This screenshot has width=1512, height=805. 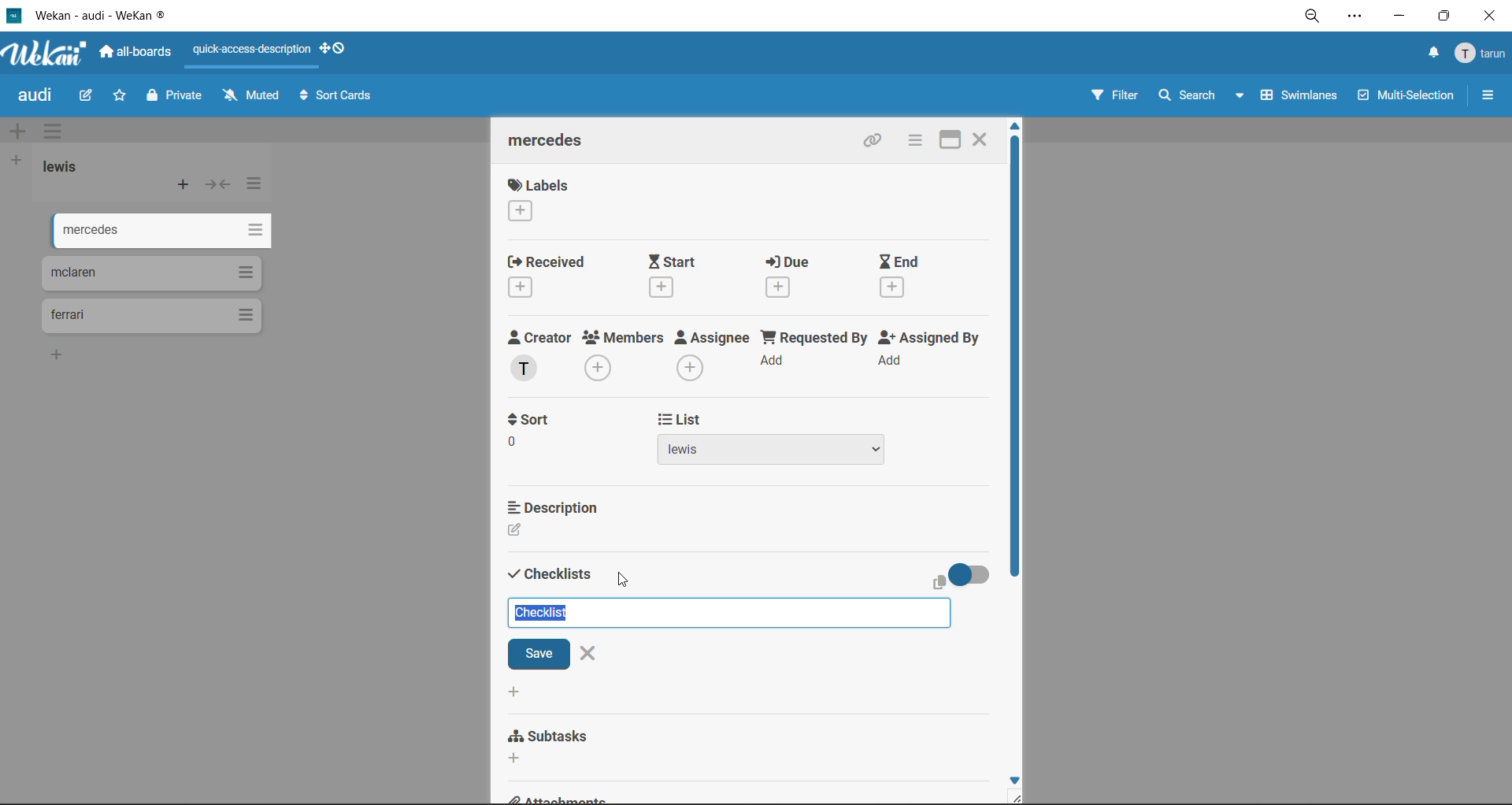 I want to click on sort, so click(x=547, y=448).